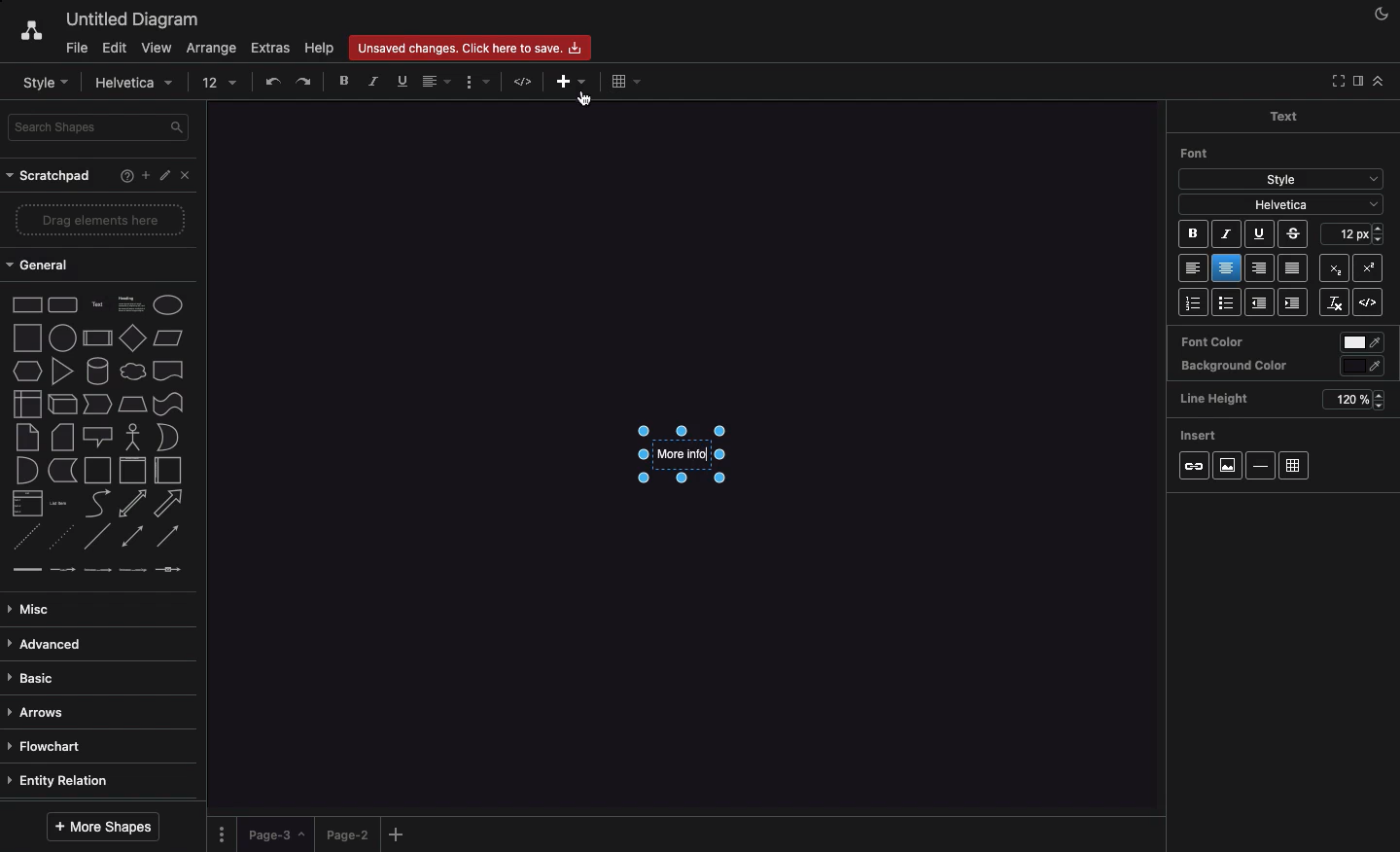  I want to click on circle, so click(62, 337).